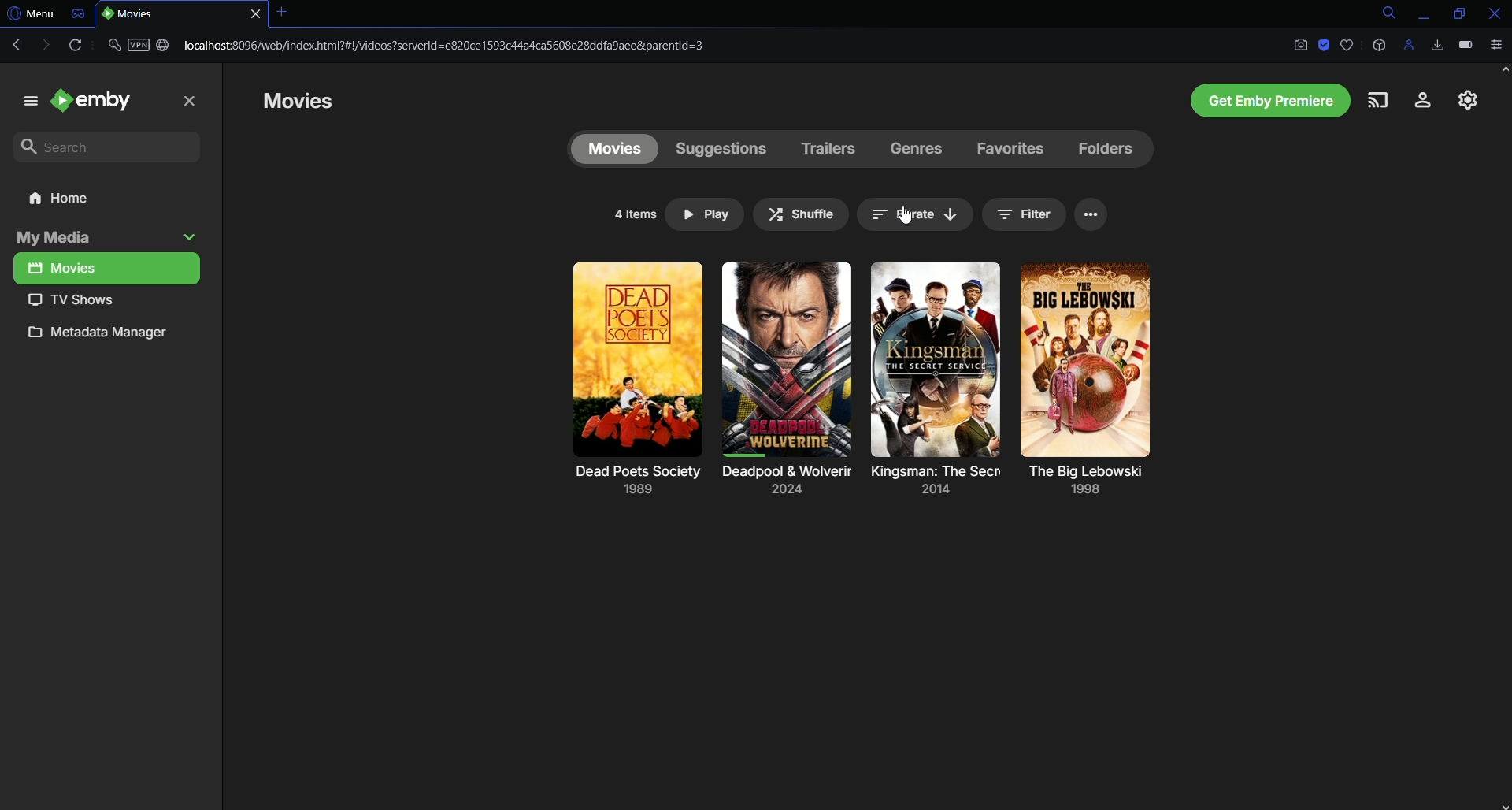  Describe the element at coordinates (191, 101) in the screenshot. I see `close sidebar` at that location.